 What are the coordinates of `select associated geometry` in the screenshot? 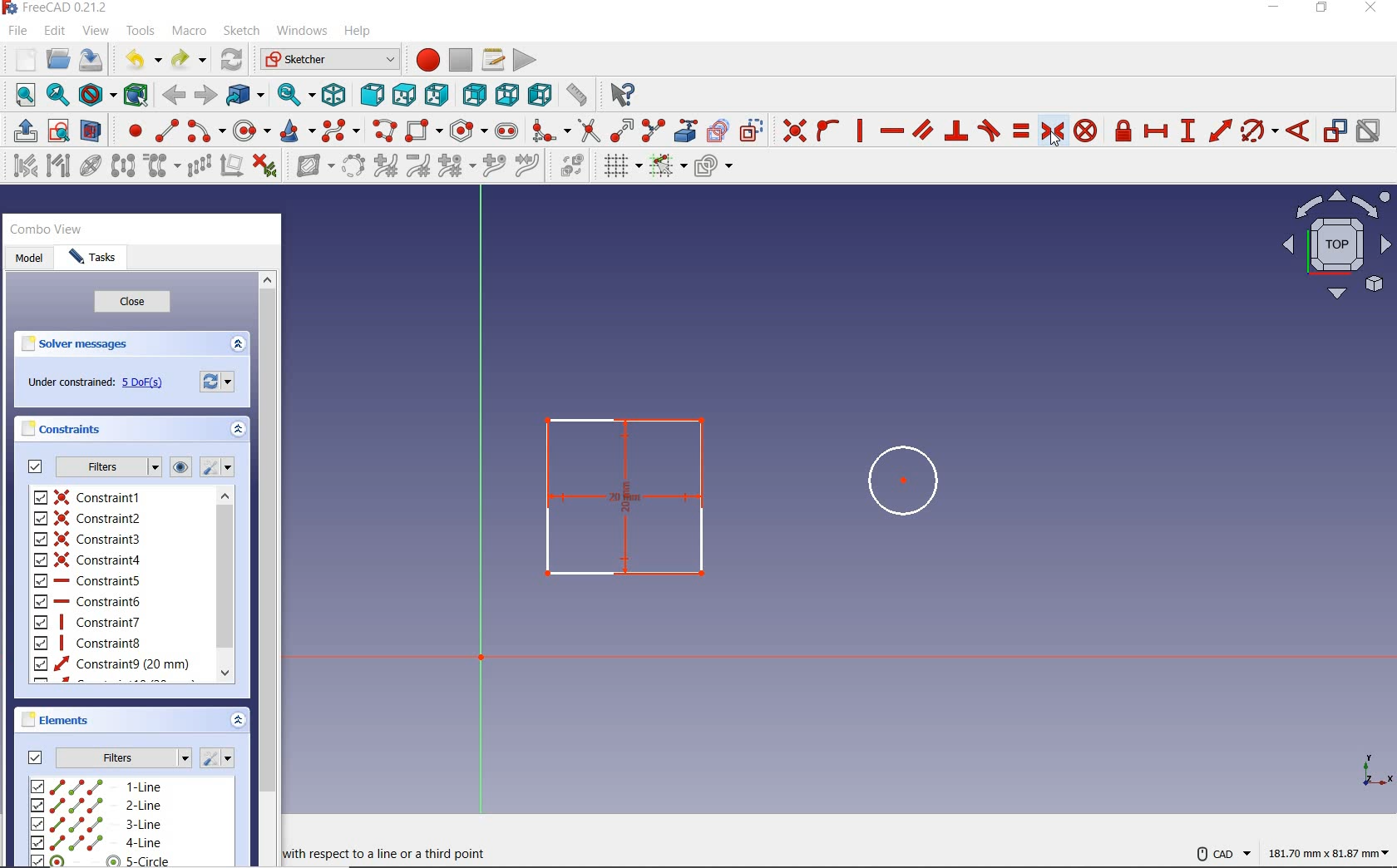 It's located at (57, 167).